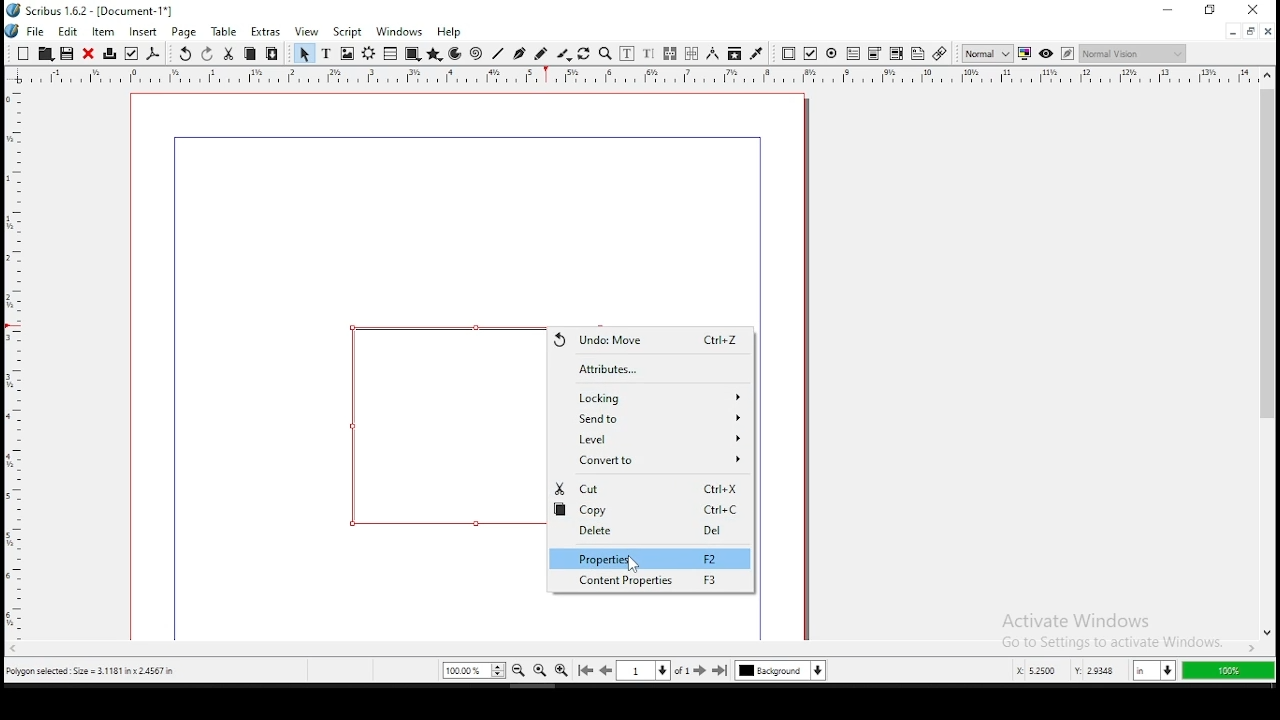  I want to click on pdf combo box, so click(896, 54).